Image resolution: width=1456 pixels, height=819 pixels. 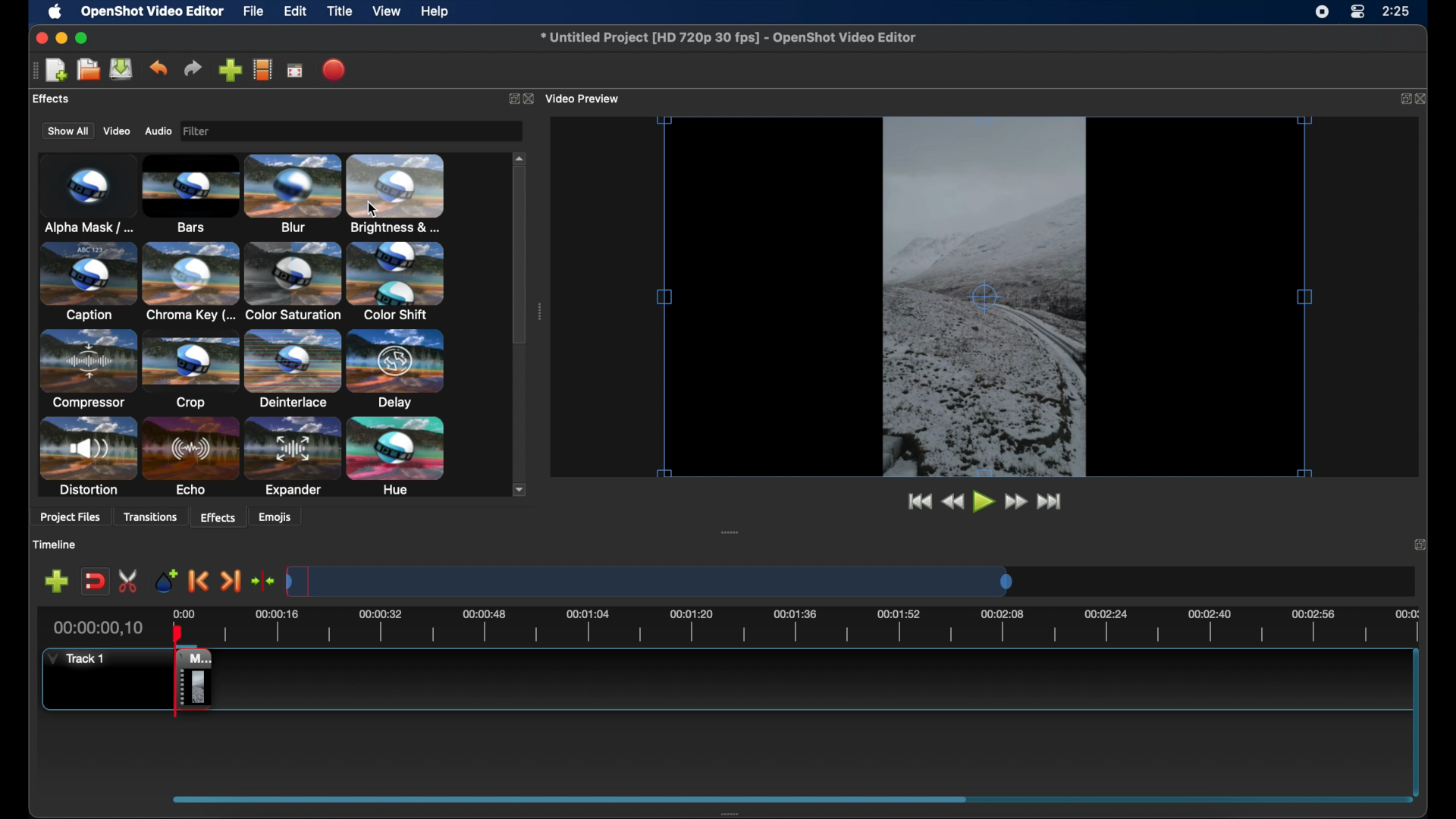 What do you see at coordinates (295, 71) in the screenshot?
I see `full screen` at bounding box center [295, 71].